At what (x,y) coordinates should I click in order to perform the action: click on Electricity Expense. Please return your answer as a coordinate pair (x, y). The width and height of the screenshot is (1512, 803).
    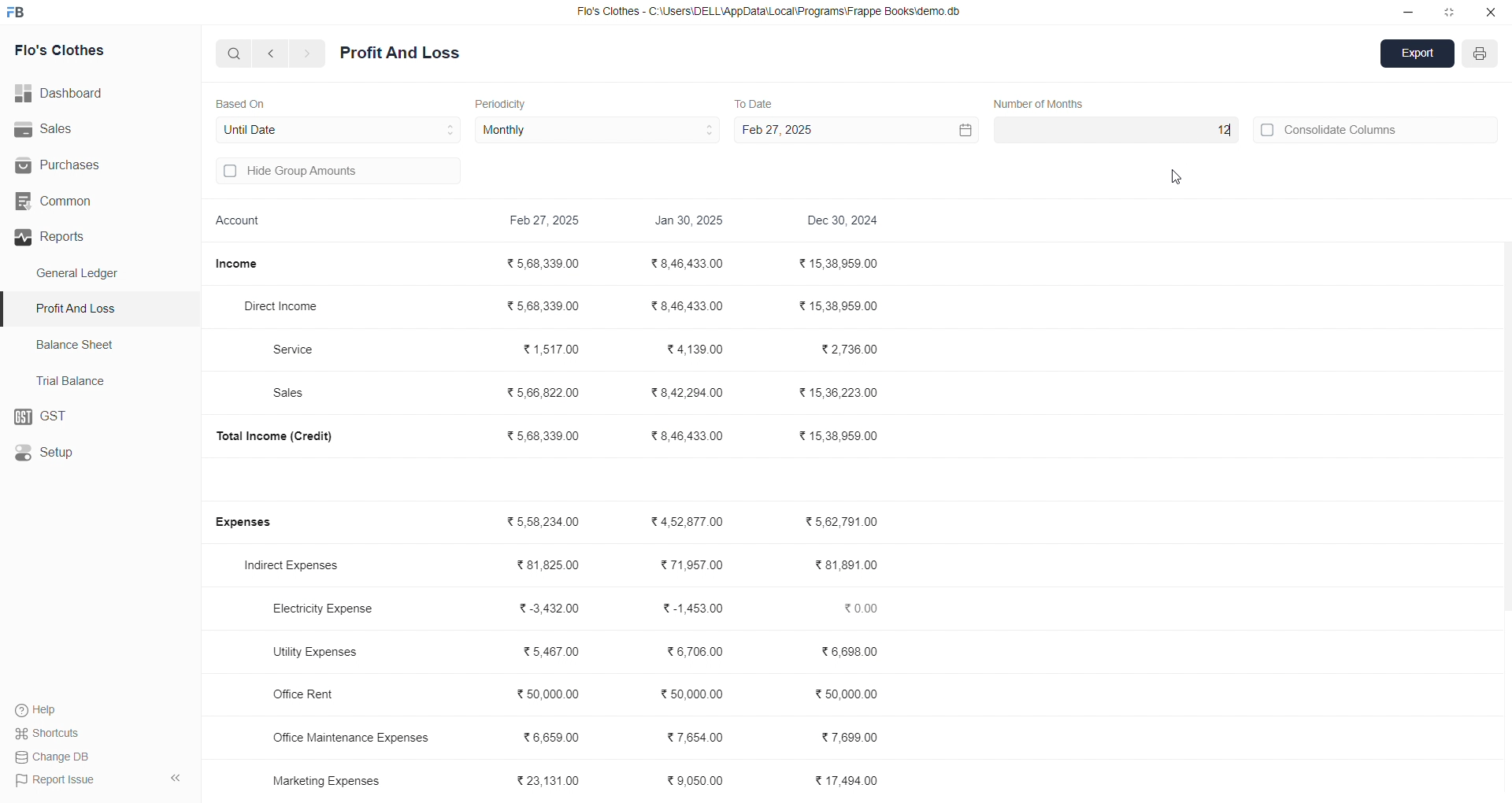
    Looking at the image, I should click on (328, 610).